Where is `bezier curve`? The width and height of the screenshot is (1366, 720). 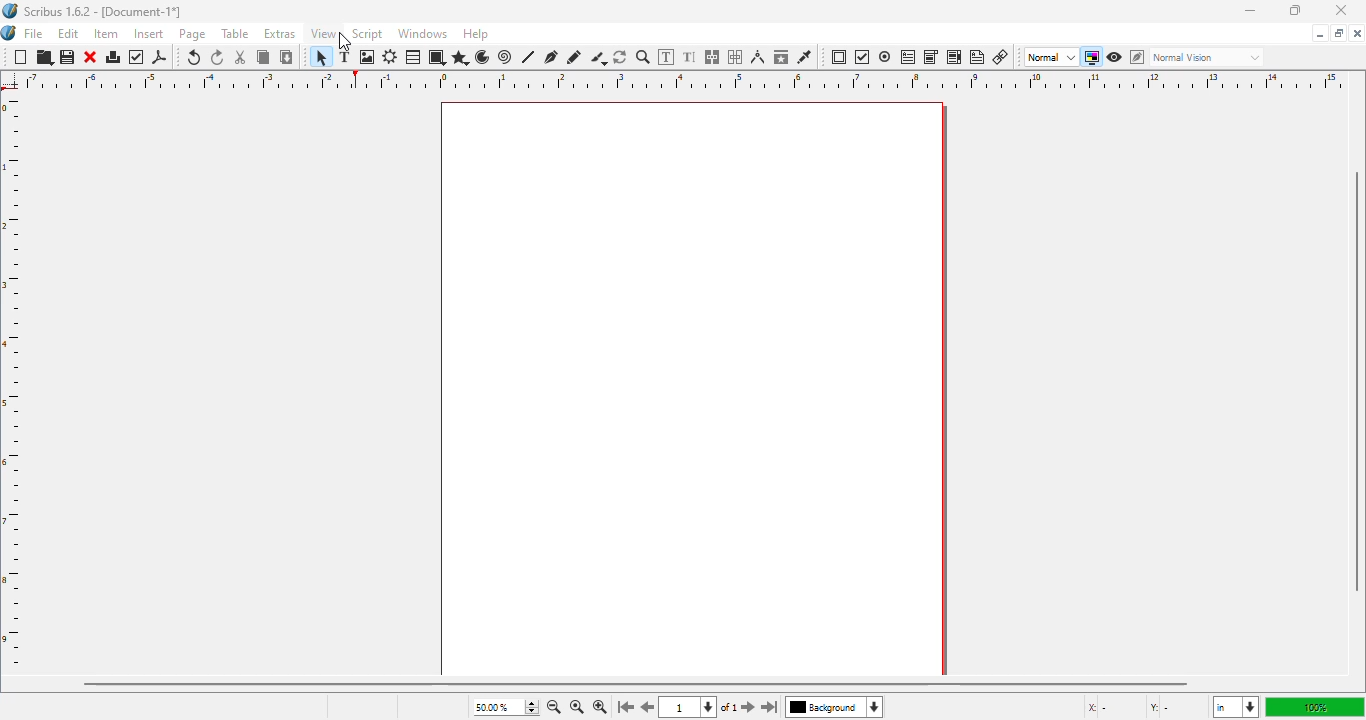
bezier curve is located at coordinates (552, 56).